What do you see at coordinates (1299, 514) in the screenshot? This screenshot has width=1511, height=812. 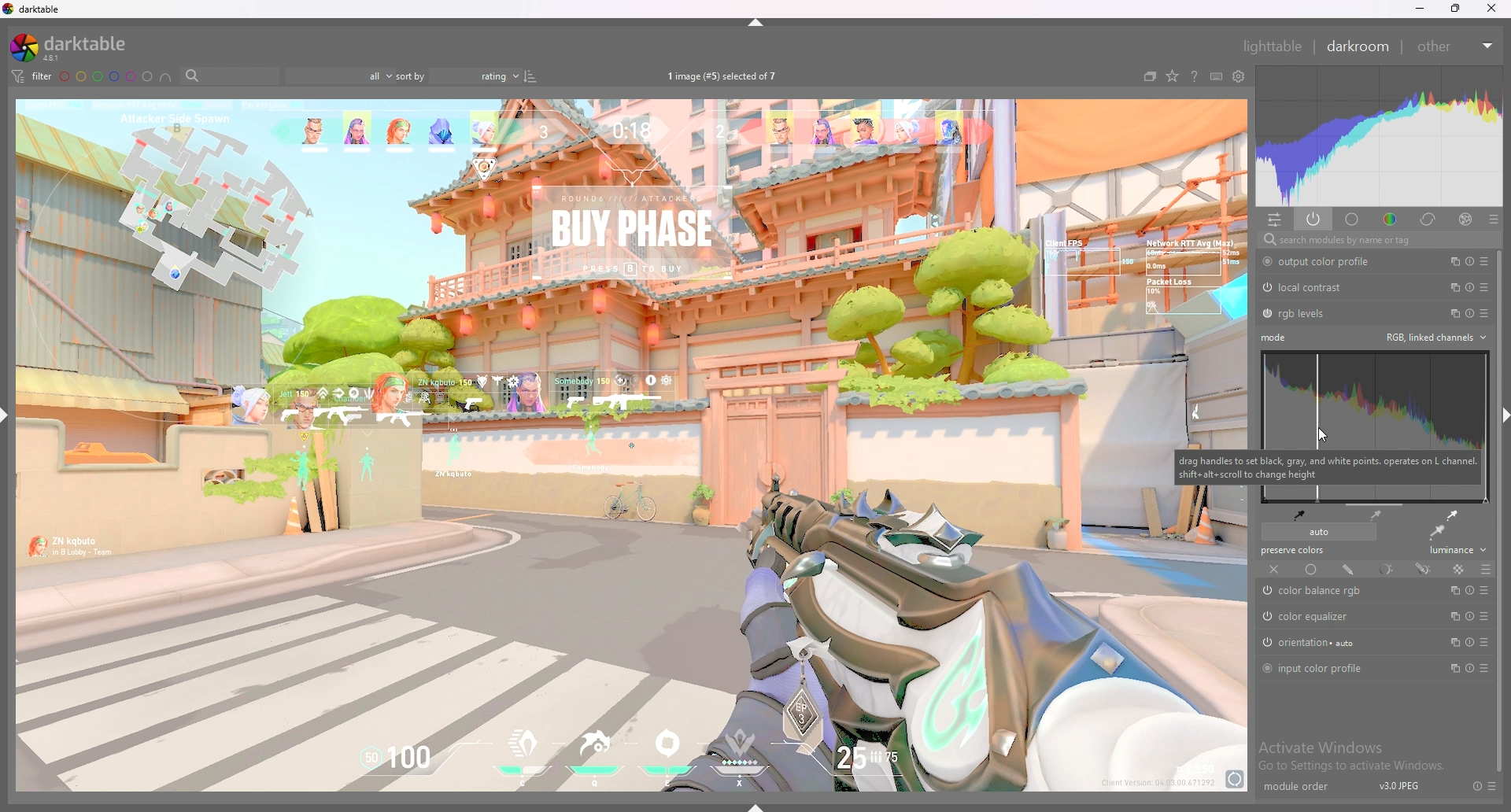 I see `black point` at bounding box center [1299, 514].